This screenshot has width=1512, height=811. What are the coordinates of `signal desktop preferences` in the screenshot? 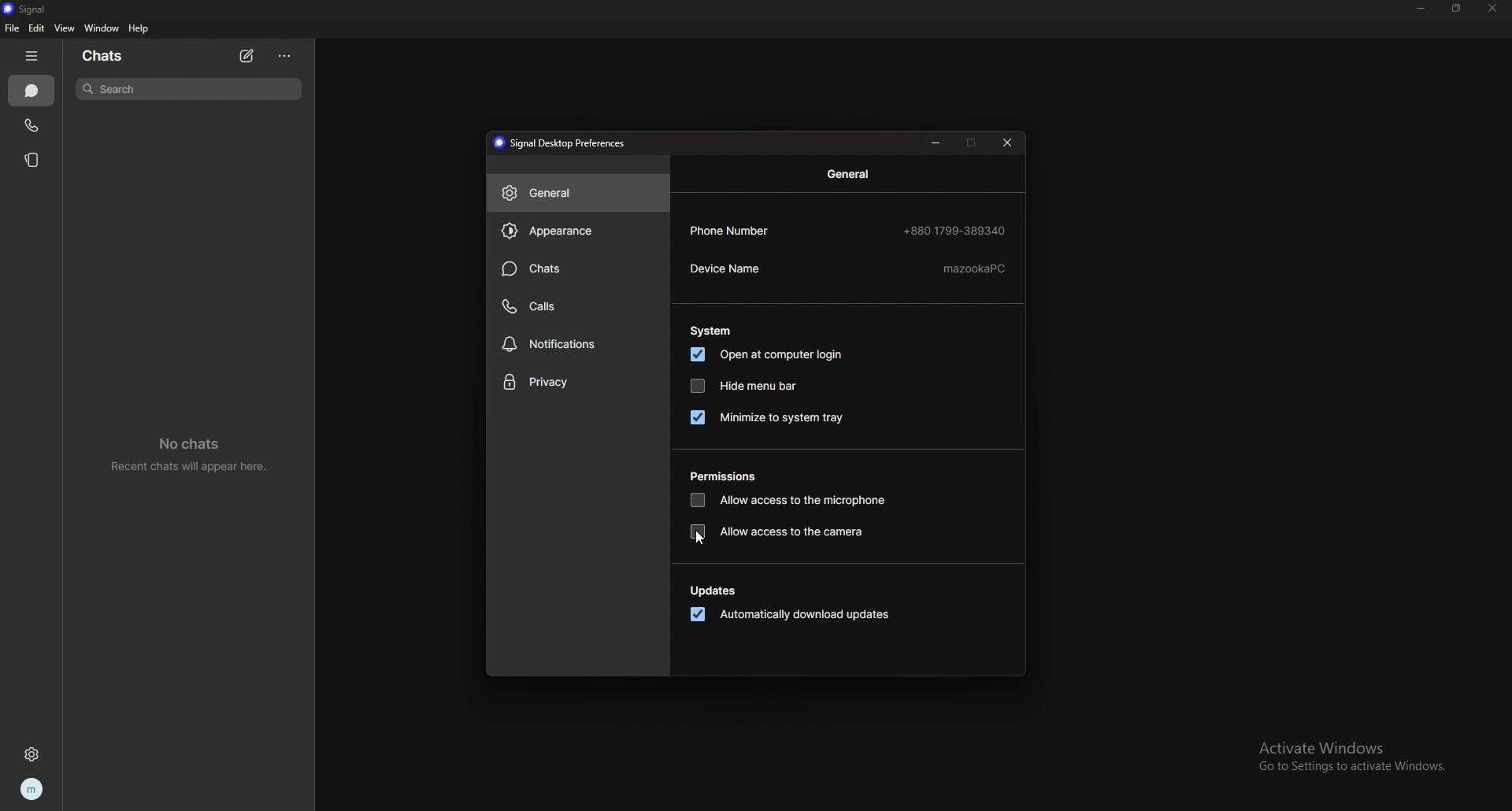 It's located at (562, 143).